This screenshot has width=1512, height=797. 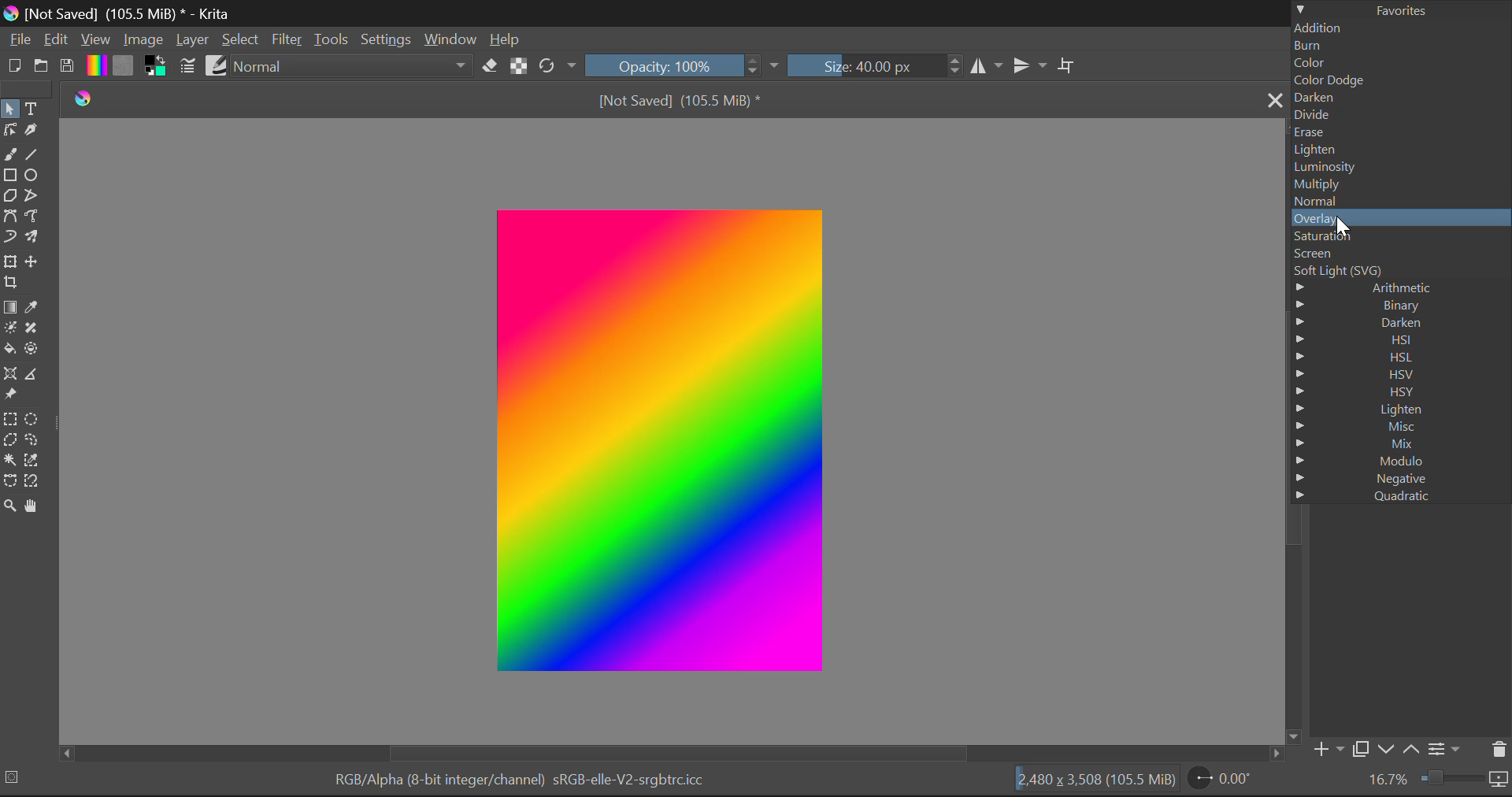 What do you see at coordinates (34, 196) in the screenshot?
I see `Polyline` at bounding box center [34, 196].